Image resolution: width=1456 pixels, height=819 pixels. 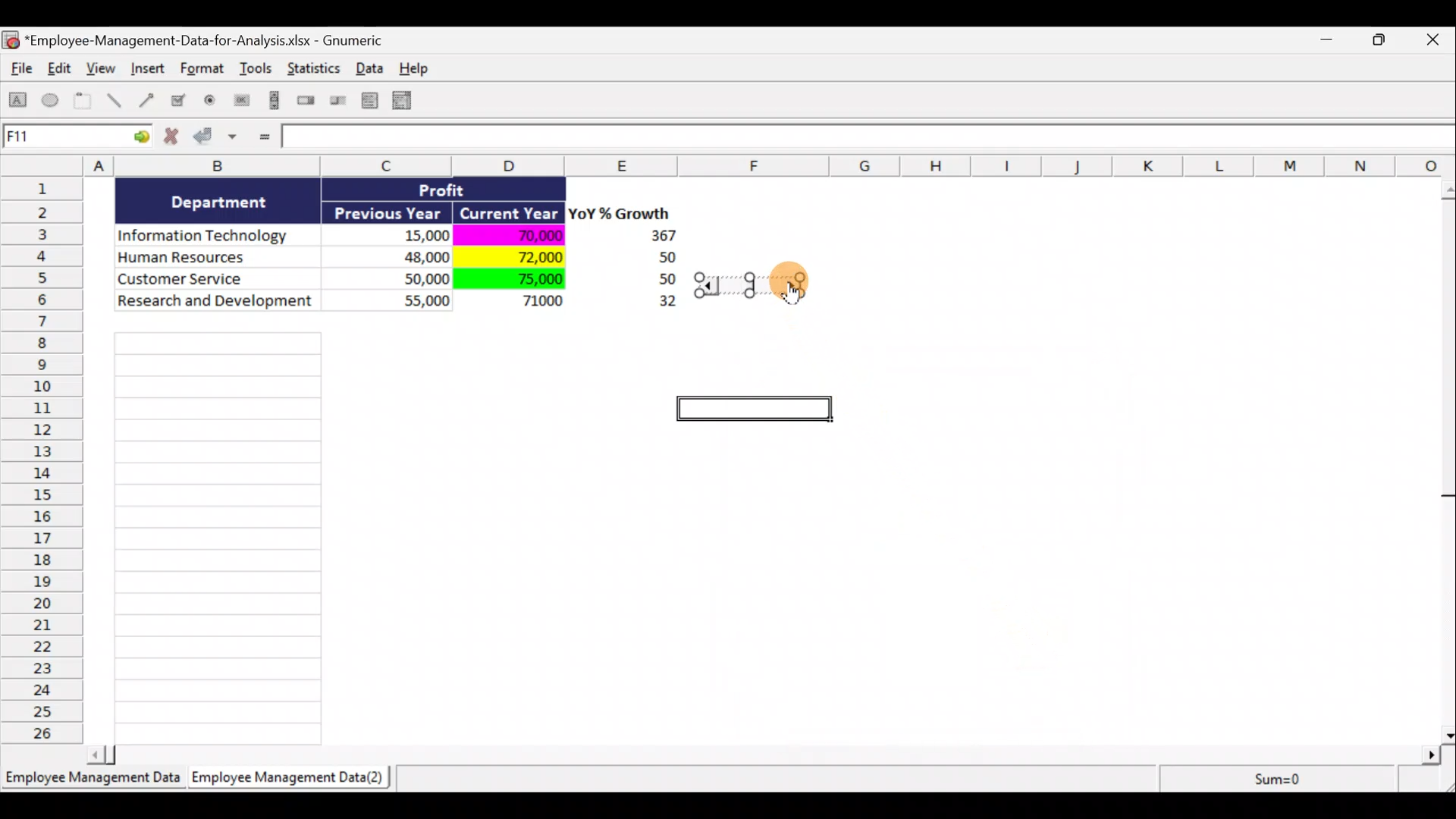 I want to click on Create a checkbox, so click(x=179, y=100).